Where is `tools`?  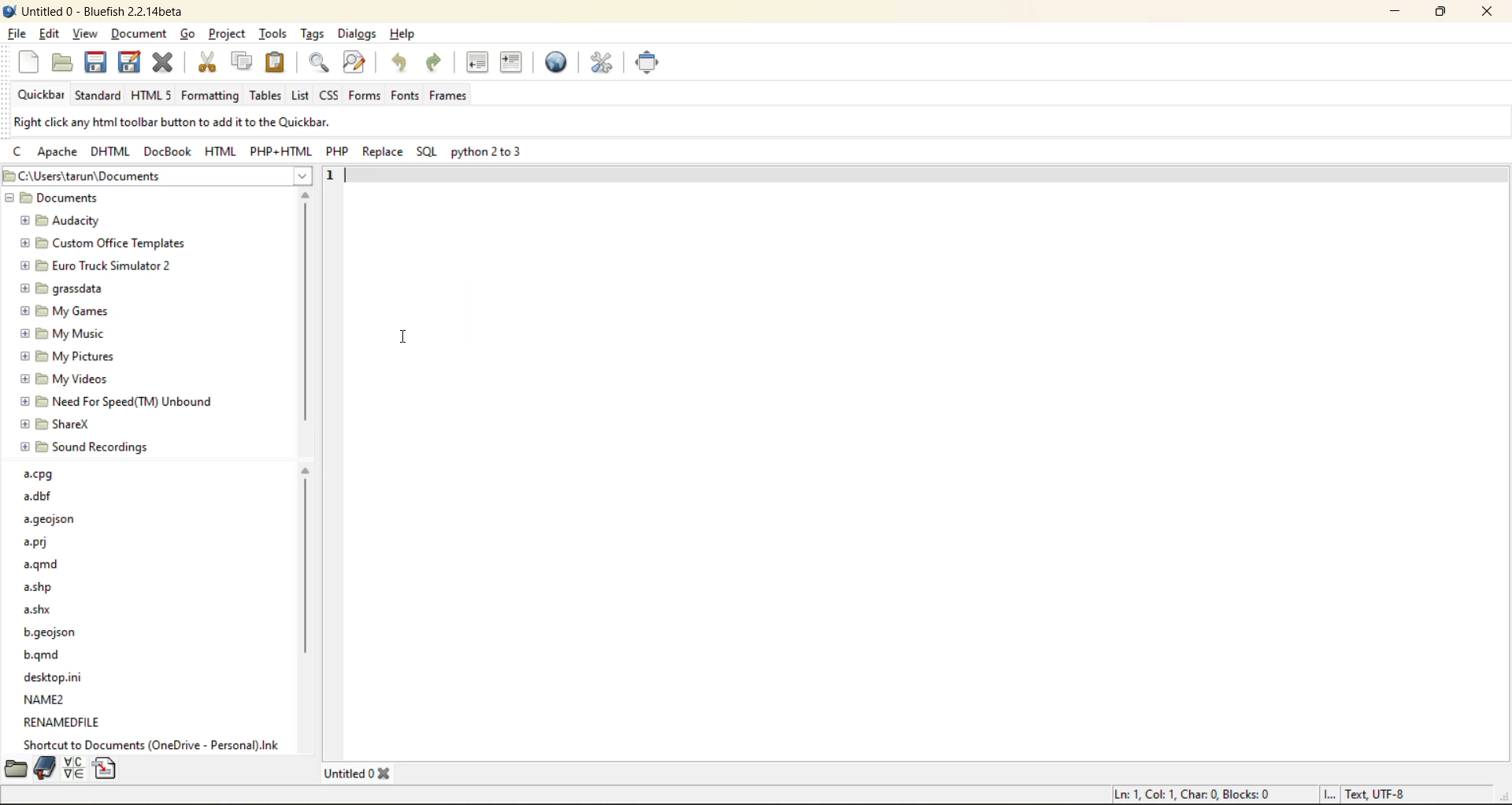 tools is located at coordinates (274, 33).